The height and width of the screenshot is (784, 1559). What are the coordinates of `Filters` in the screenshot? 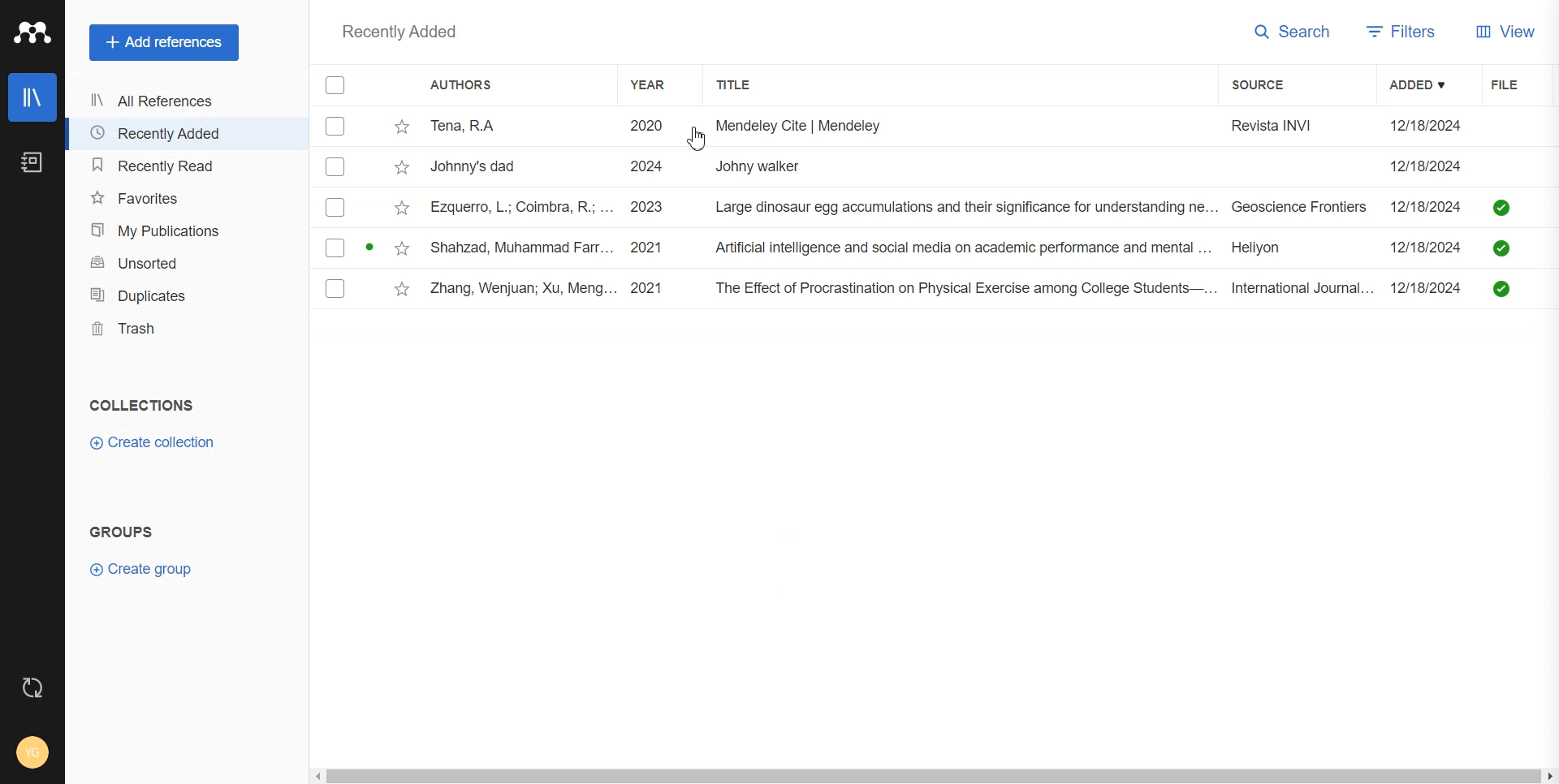 It's located at (1406, 34).